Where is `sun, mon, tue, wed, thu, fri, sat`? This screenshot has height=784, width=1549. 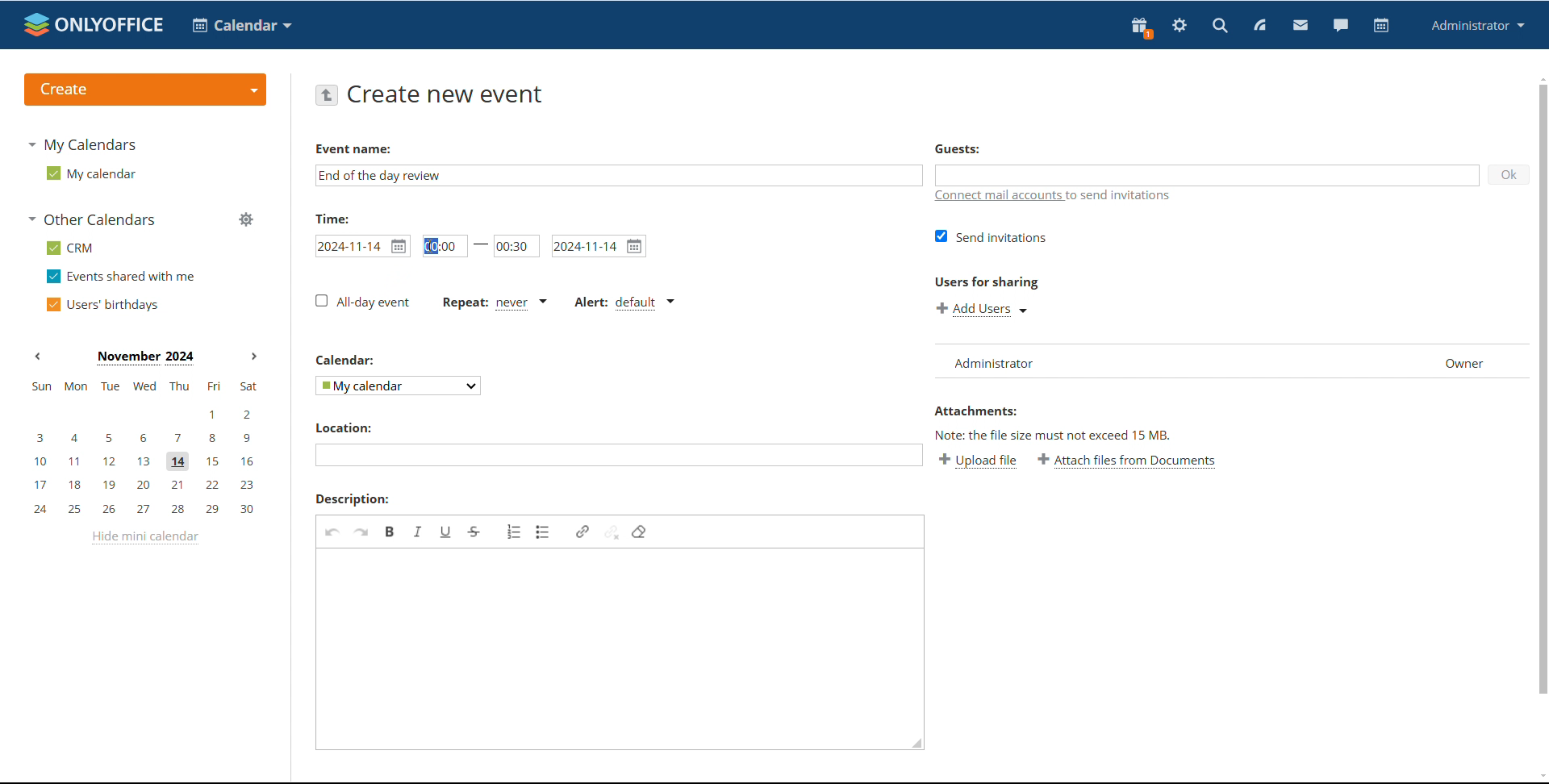
sun, mon, tue, wed, thu, fri, sat is located at coordinates (143, 386).